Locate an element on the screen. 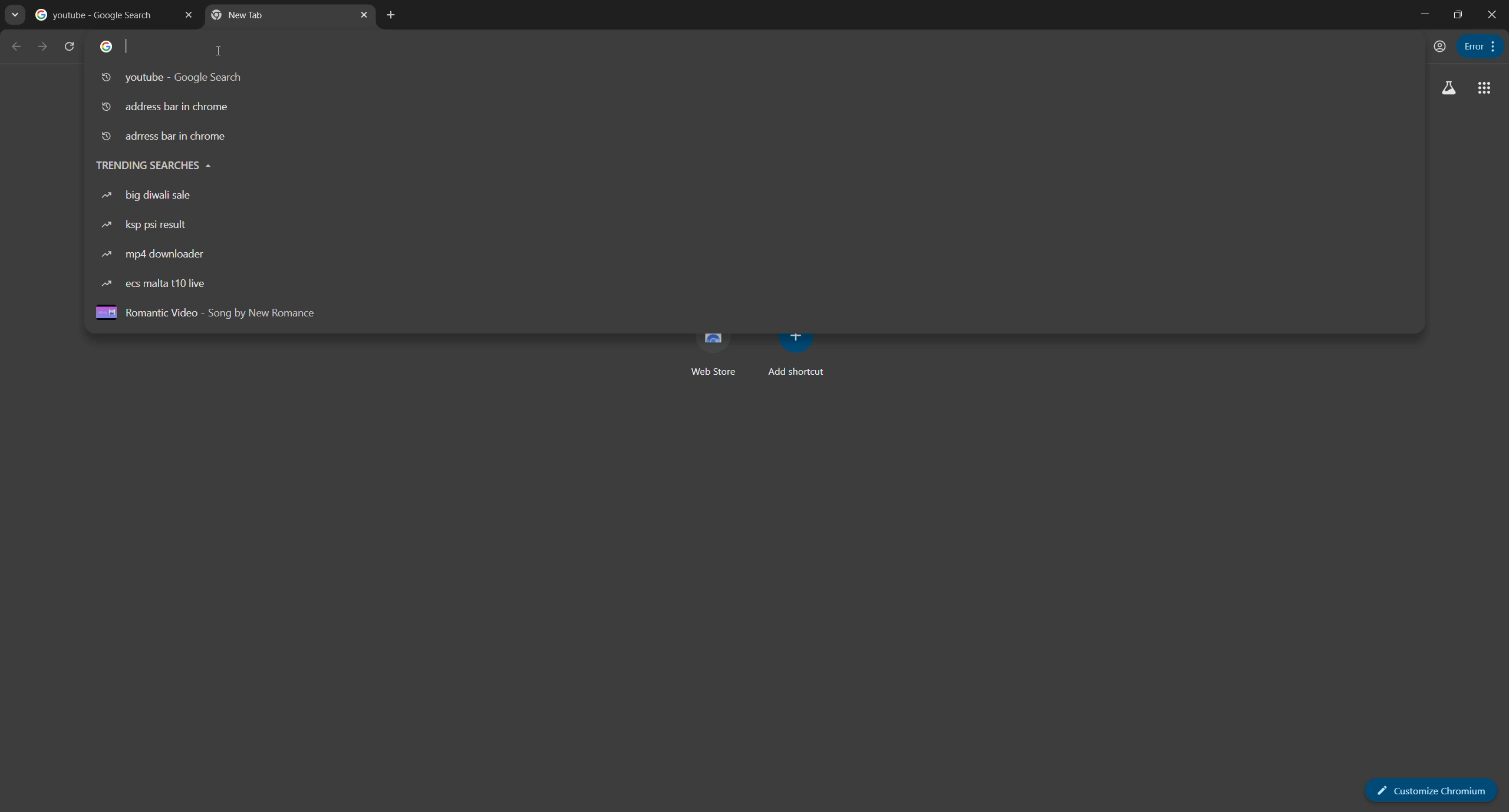 This screenshot has width=1509, height=812. more apps is located at coordinates (1482, 89).